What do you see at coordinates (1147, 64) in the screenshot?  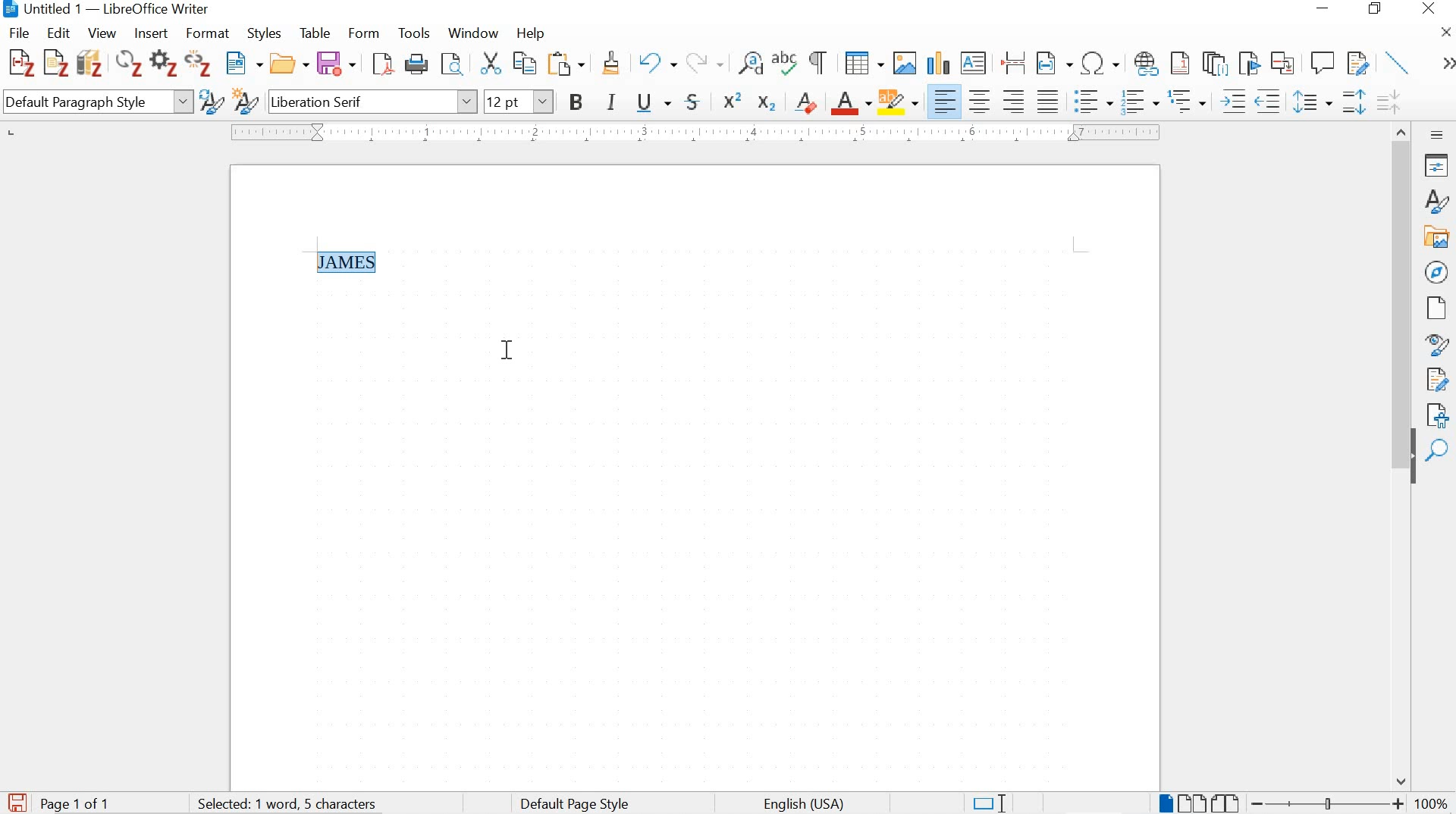 I see `insert footnote` at bounding box center [1147, 64].